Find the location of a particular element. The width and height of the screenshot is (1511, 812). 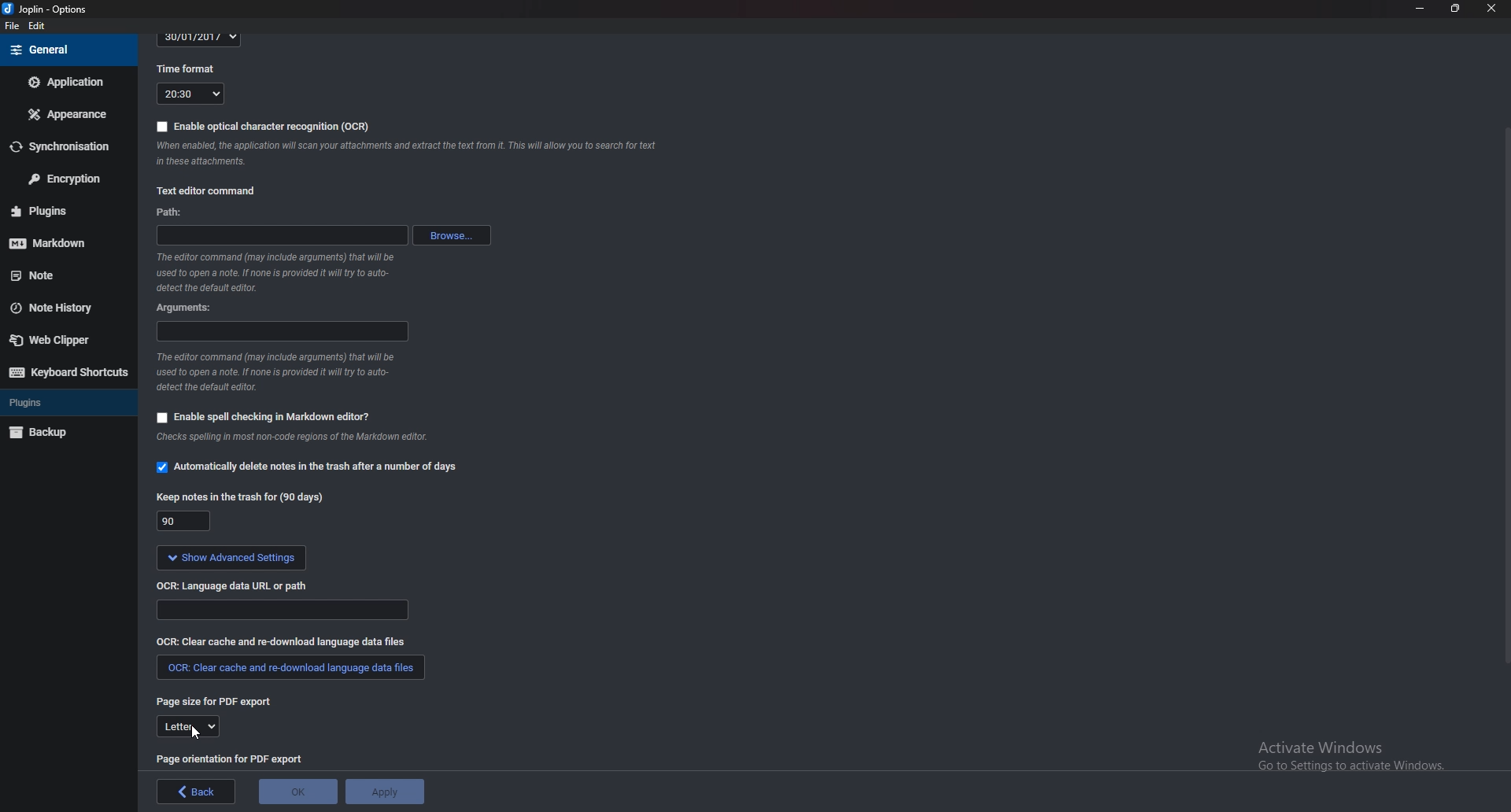

Markdown is located at coordinates (59, 242).